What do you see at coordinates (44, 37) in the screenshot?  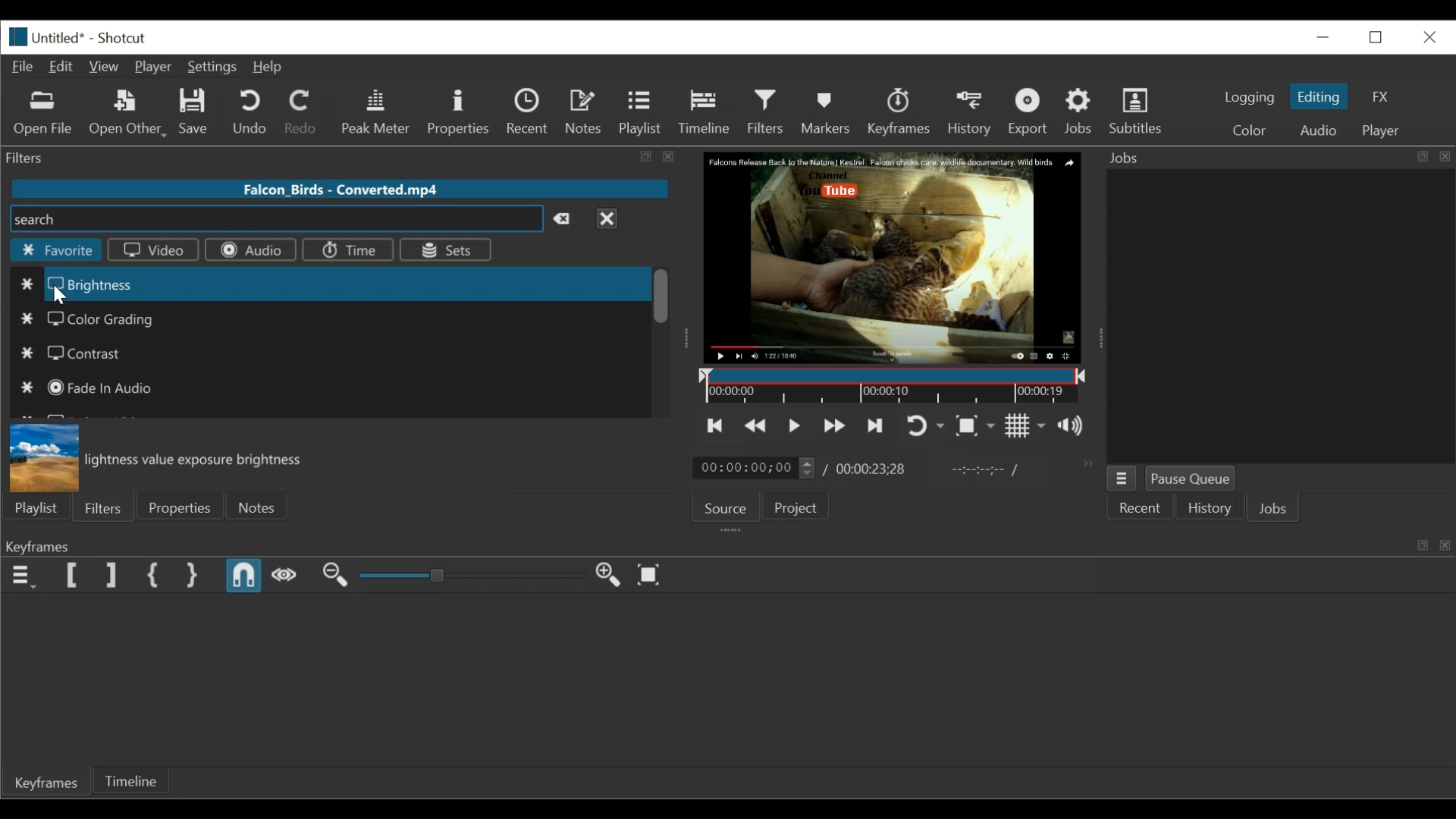 I see `File Name` at bounding box center [44, 37].